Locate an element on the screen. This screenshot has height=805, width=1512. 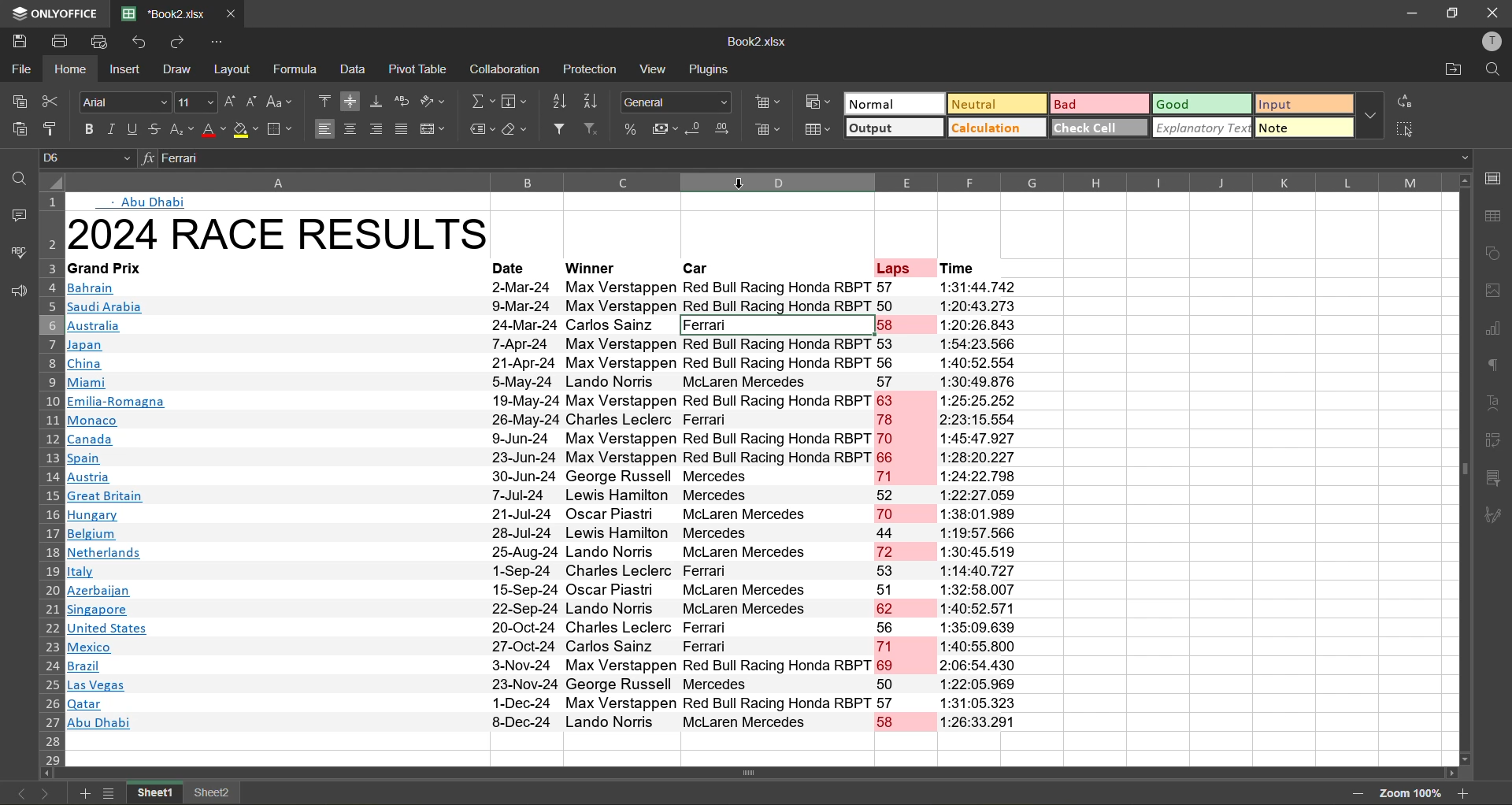
italic is located at coordinates (113, 130).